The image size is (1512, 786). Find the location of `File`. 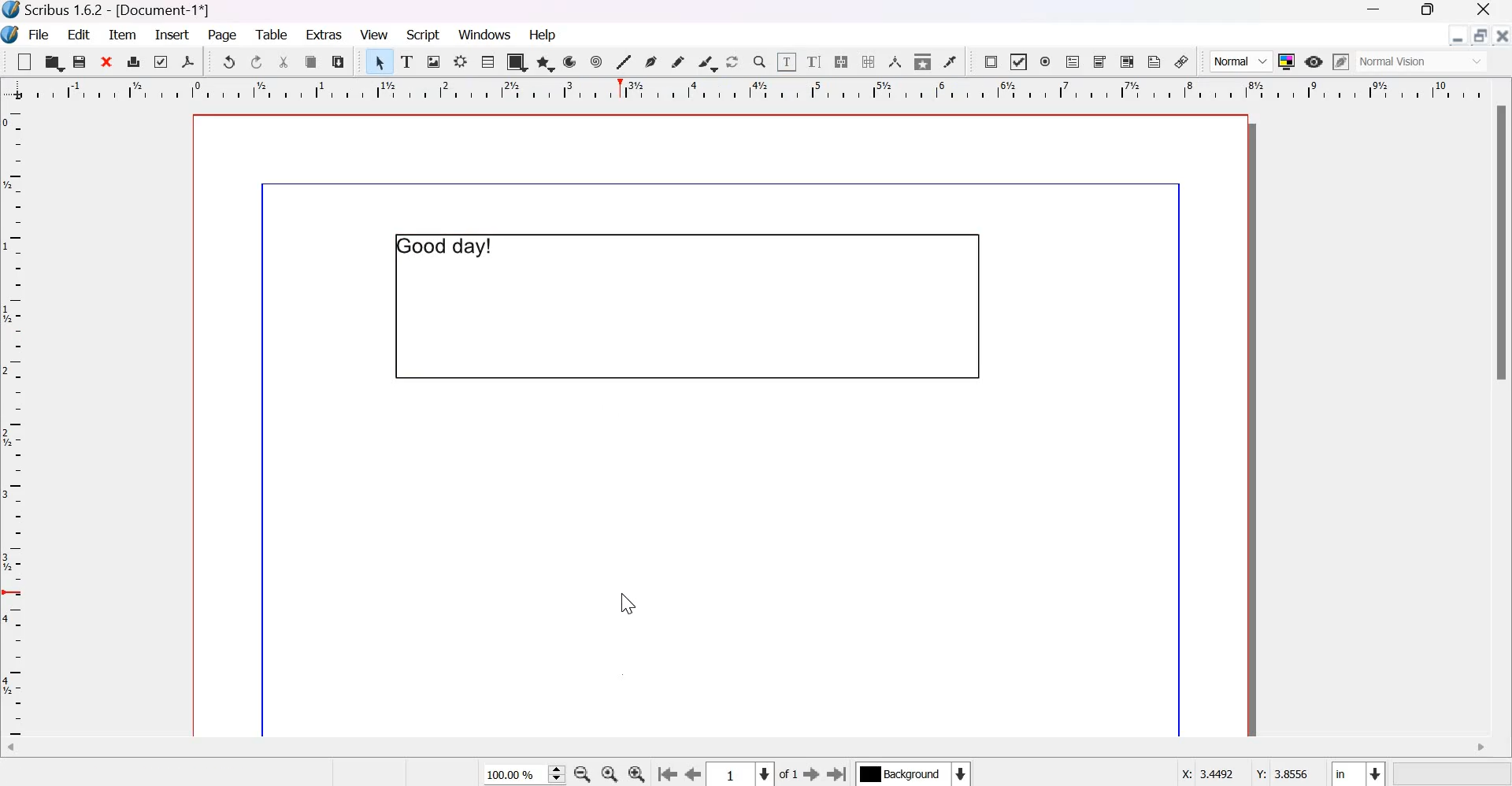

File is located at coordinates (37, 35).